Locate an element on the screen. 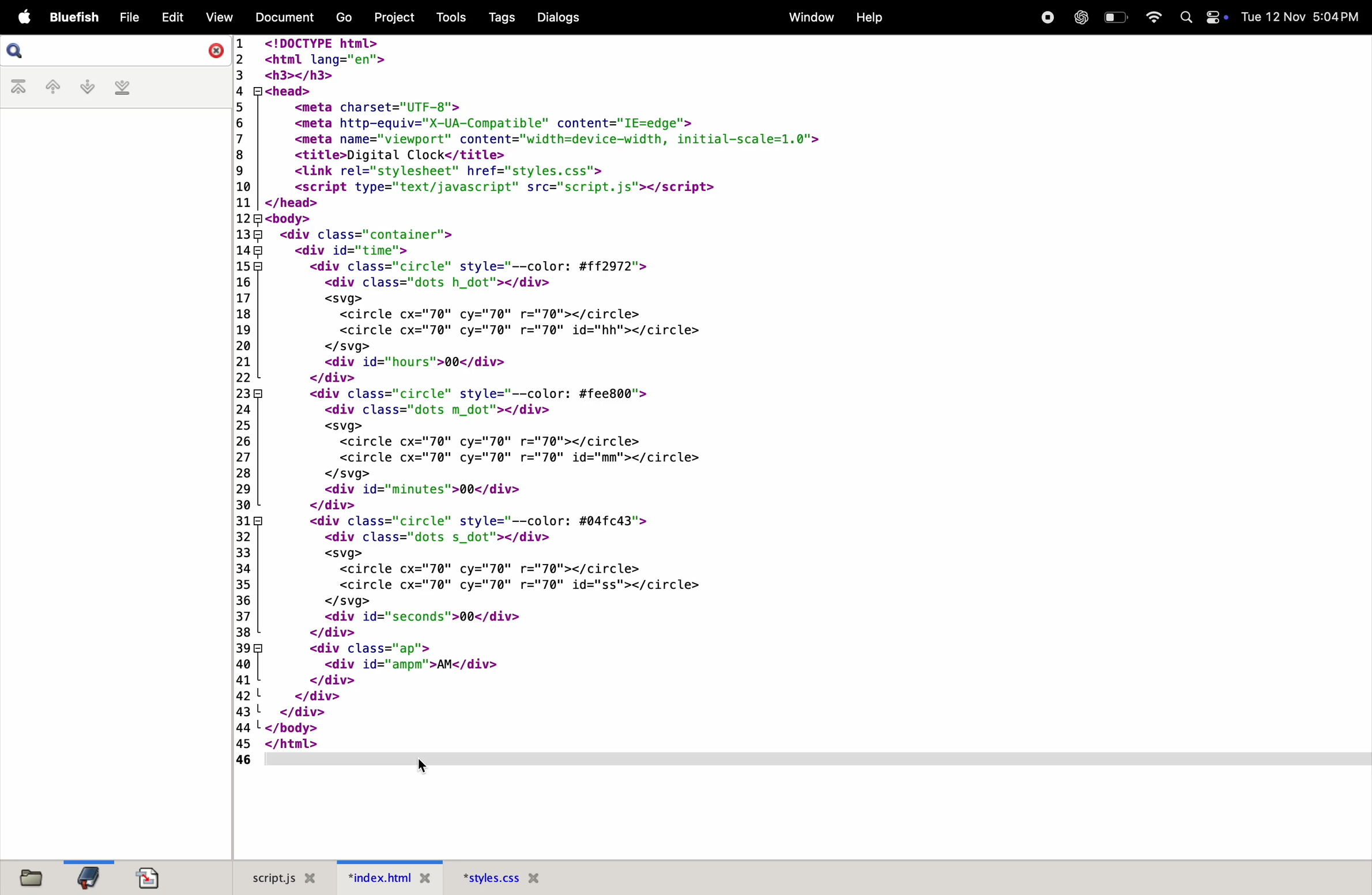 The image size is (1372, 895). Search is located at coordinates (1184, 14).